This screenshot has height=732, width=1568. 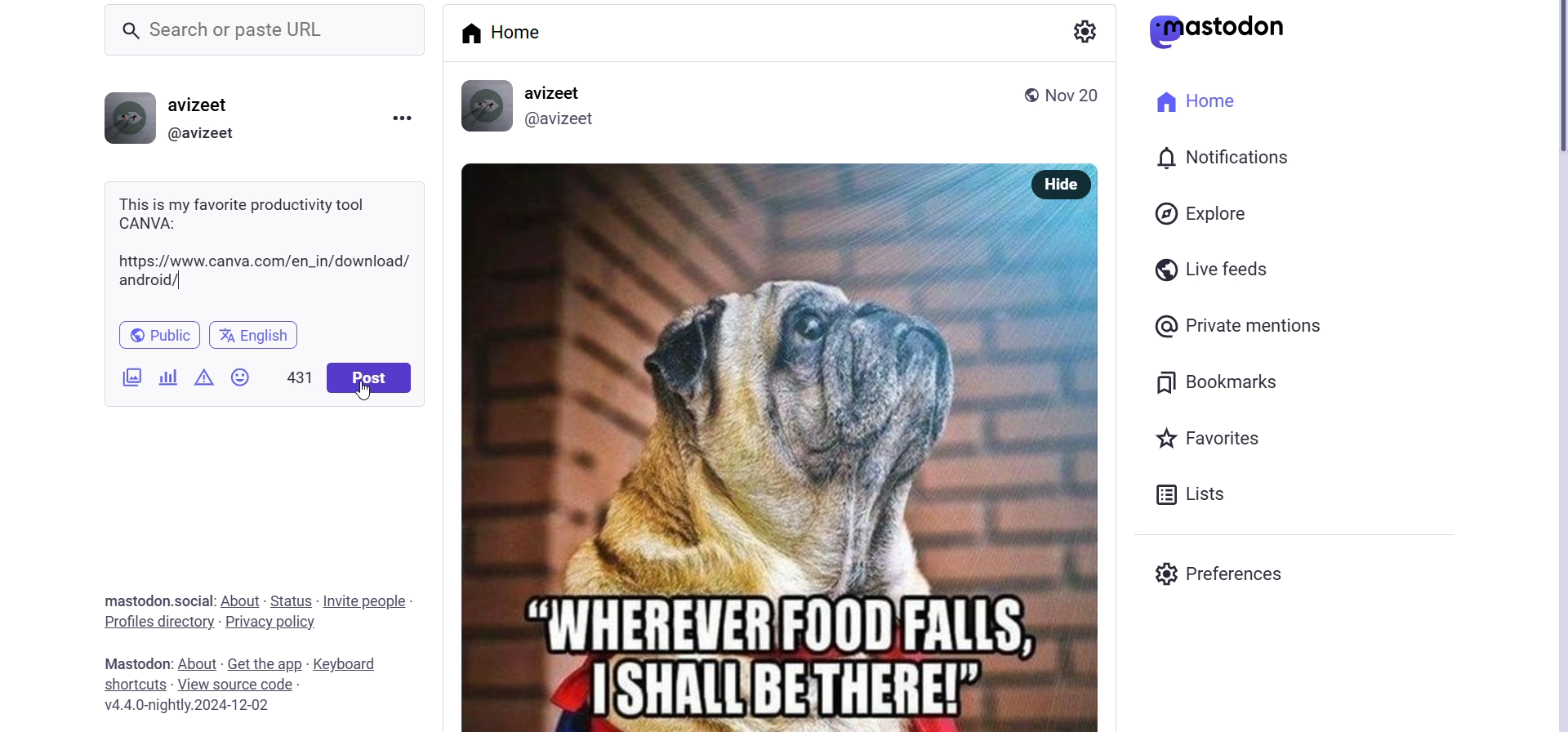 What do you see at coordinates (258, 332) in the screenshot?
I see `english` at bounding box center [258, 332].